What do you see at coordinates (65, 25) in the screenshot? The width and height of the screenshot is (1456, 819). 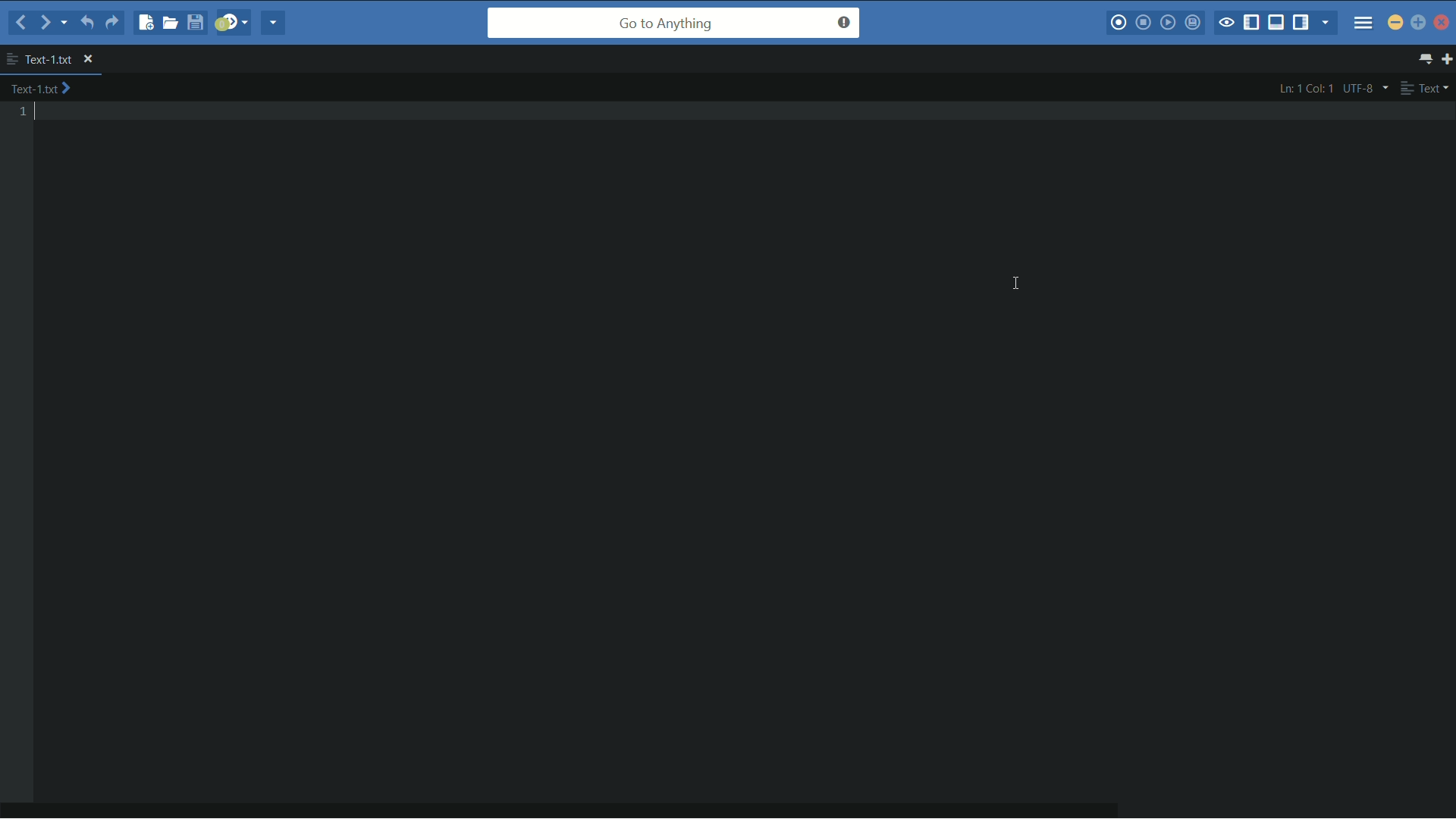 I see `recent locations` at bounding box center [65, 25].